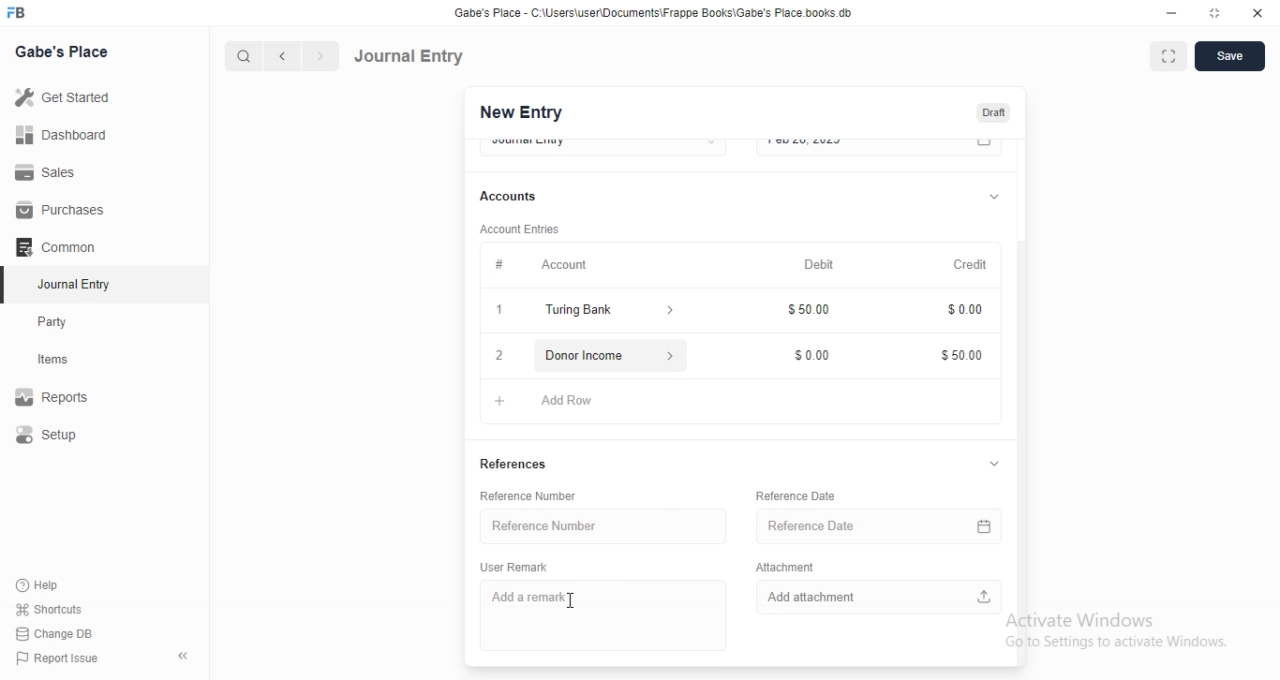 This screenshot has width=1280, height=680. Describe the element at coordinates (571, 602) in the screenshot. I see `cursor` at that location.